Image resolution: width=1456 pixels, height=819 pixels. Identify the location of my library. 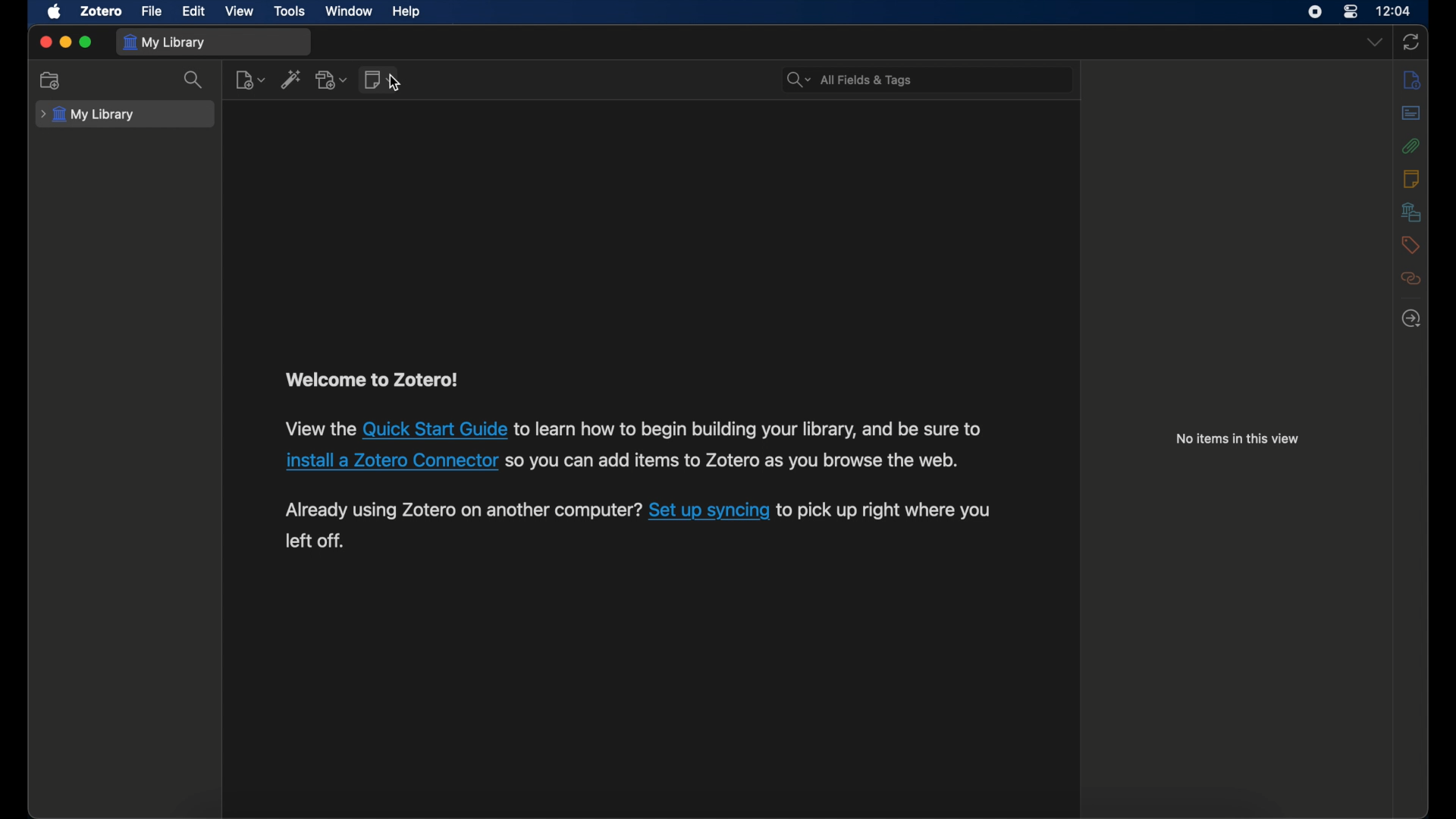
(87, 114).